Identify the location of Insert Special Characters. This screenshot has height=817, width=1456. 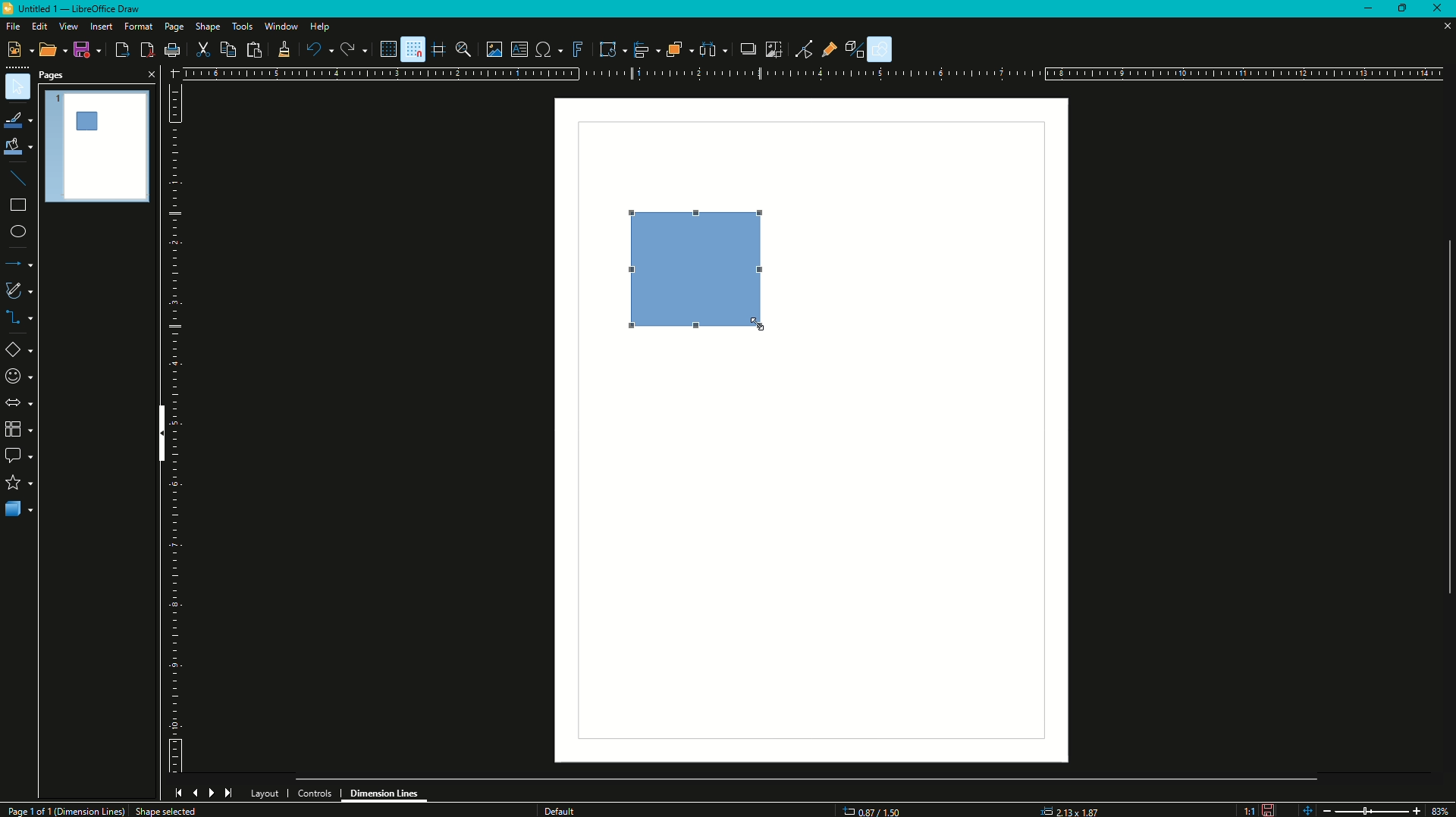
(548, 47).